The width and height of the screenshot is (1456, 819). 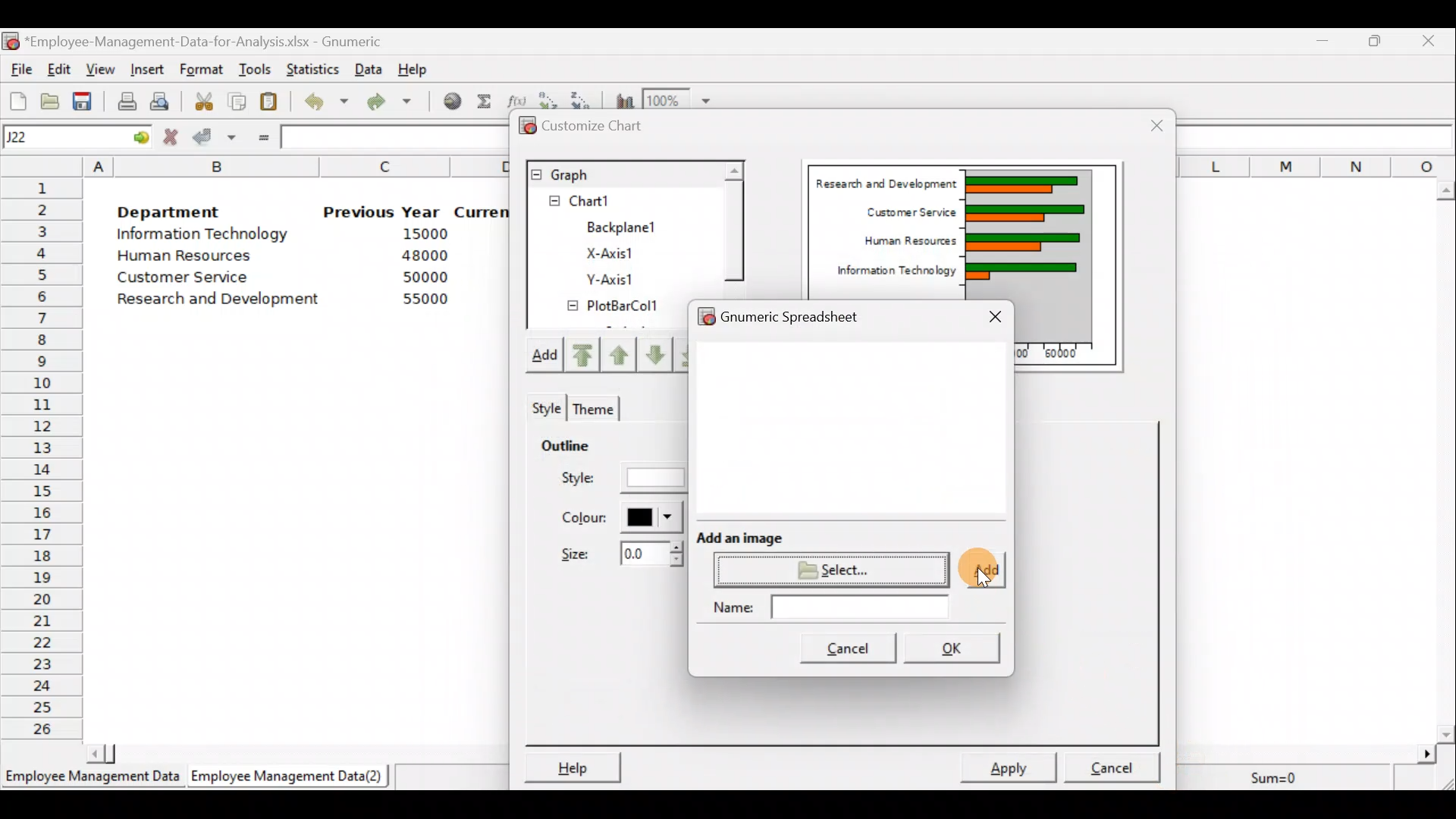 What do you see at coordinates (809, 313) in the screenshot?
I see `Gnumeric spreadsheet` at bounding box center [809, 313].